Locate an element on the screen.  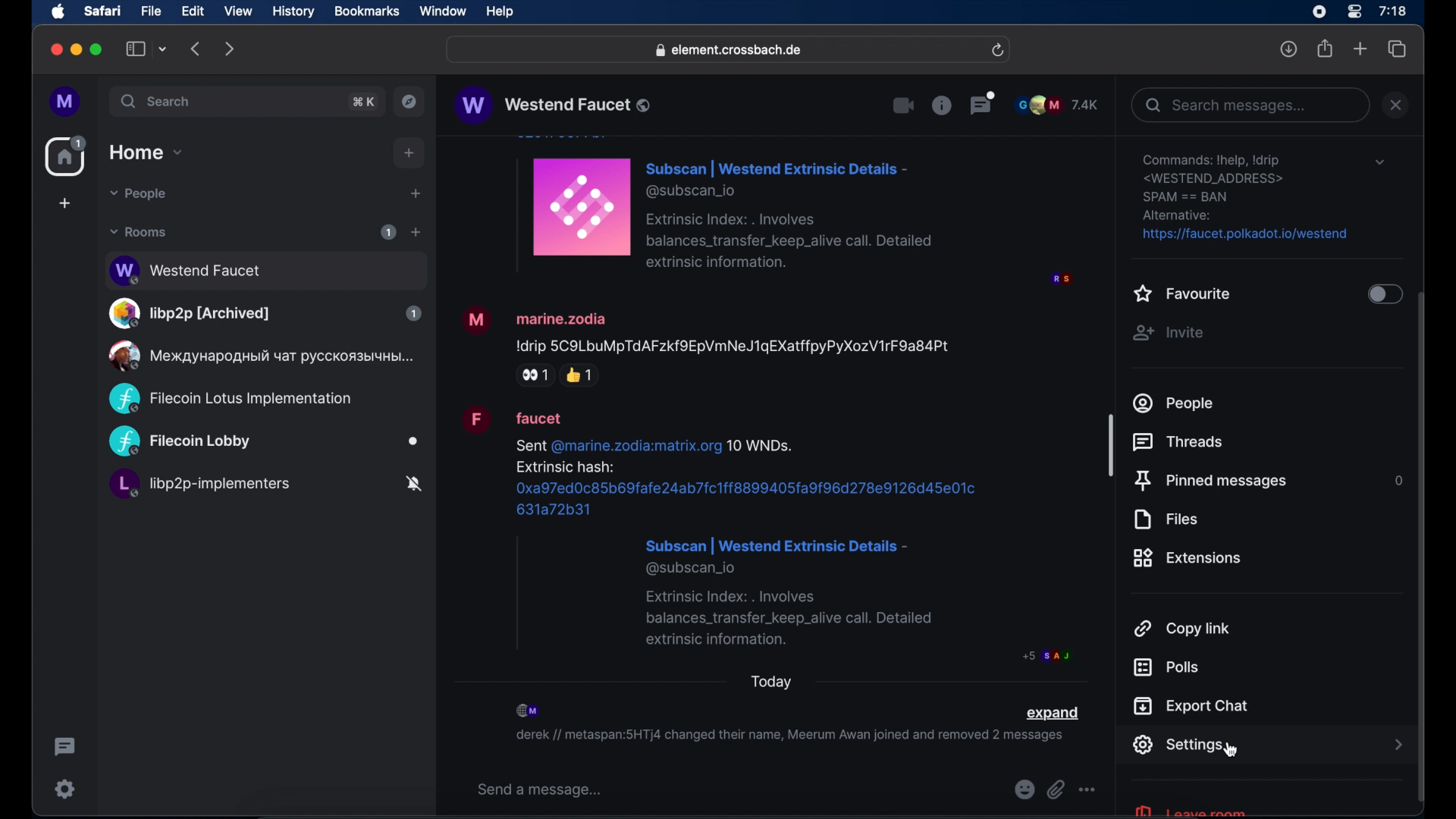
new tab is located at coordinates (1360, 48).